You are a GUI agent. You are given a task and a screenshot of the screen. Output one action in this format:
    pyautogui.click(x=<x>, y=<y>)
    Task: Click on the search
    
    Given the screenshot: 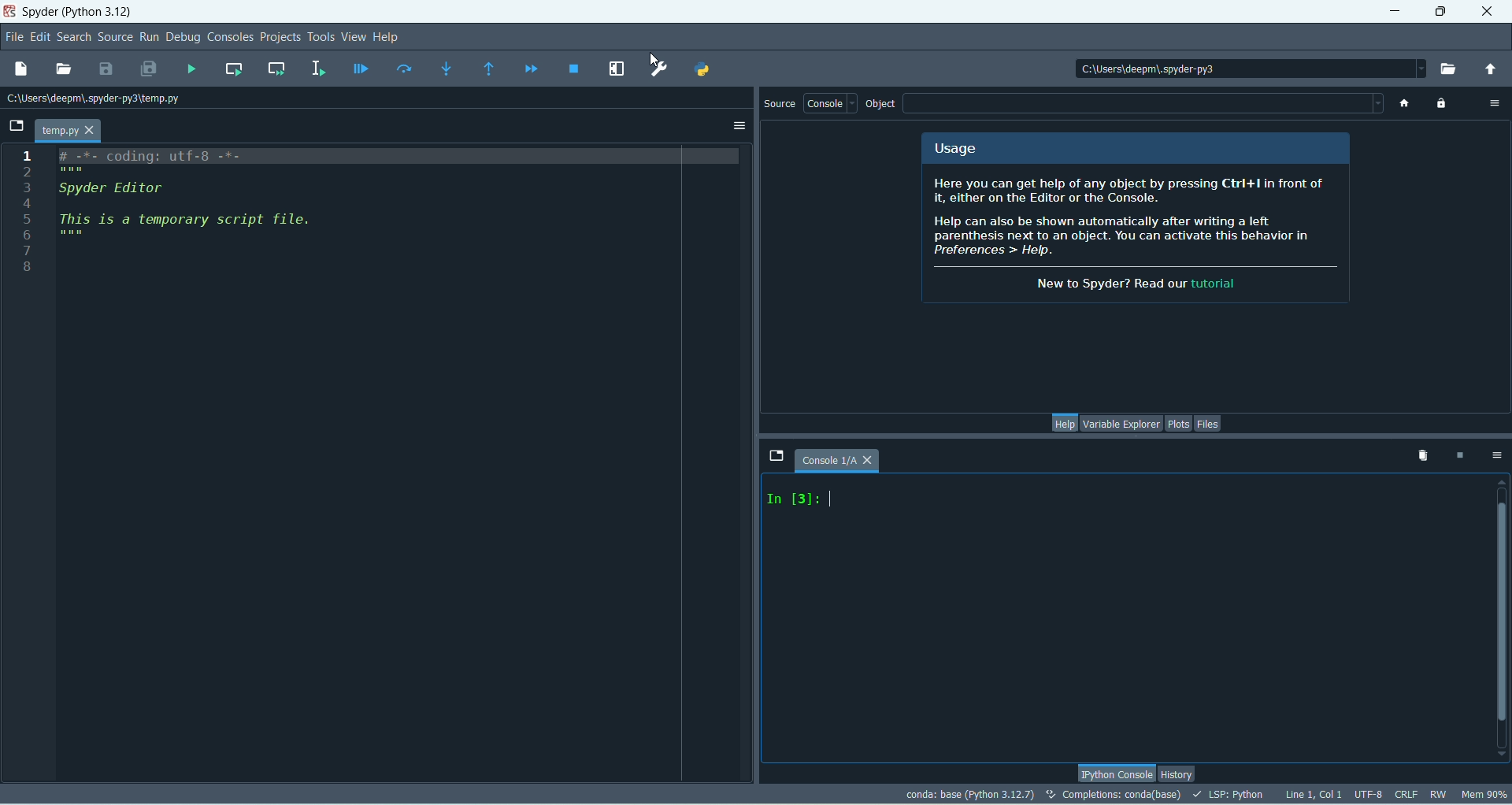 What is the action you would take?
    pyautogui.click(x=73, y=38)
    